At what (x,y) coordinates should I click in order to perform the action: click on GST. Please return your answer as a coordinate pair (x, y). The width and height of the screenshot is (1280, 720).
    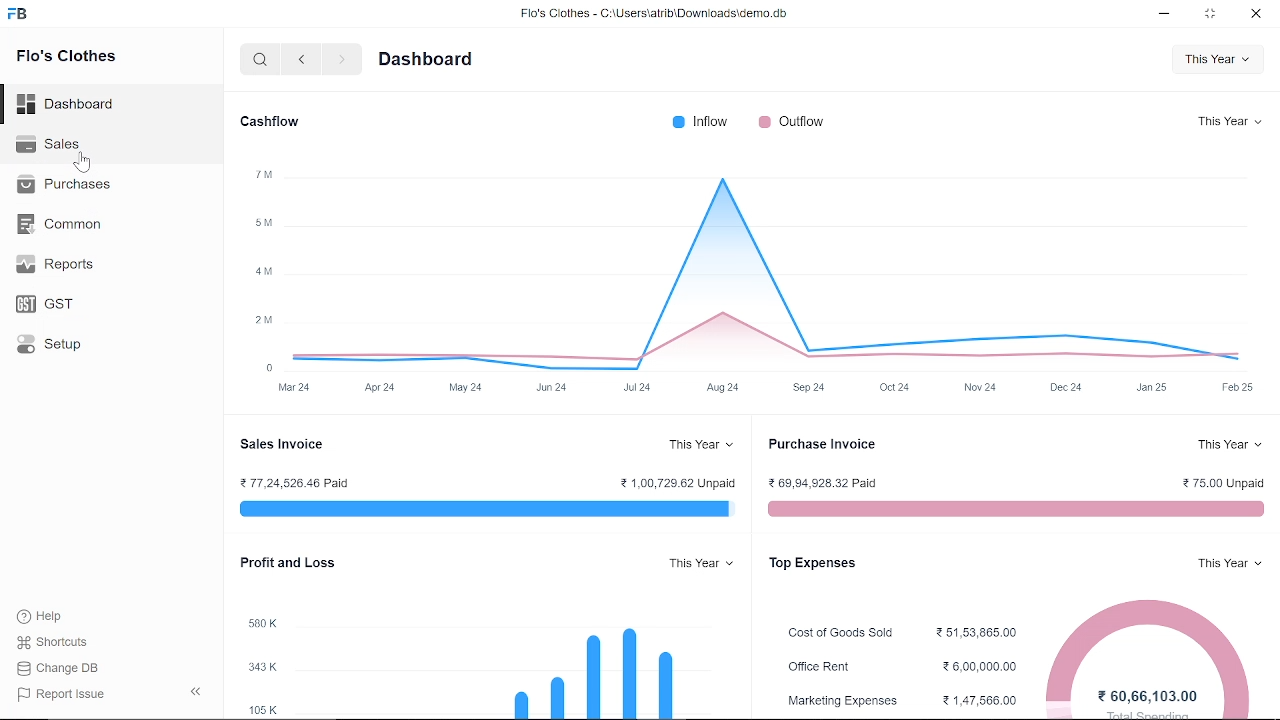
    Looking at the image, I should click on (72, 302).